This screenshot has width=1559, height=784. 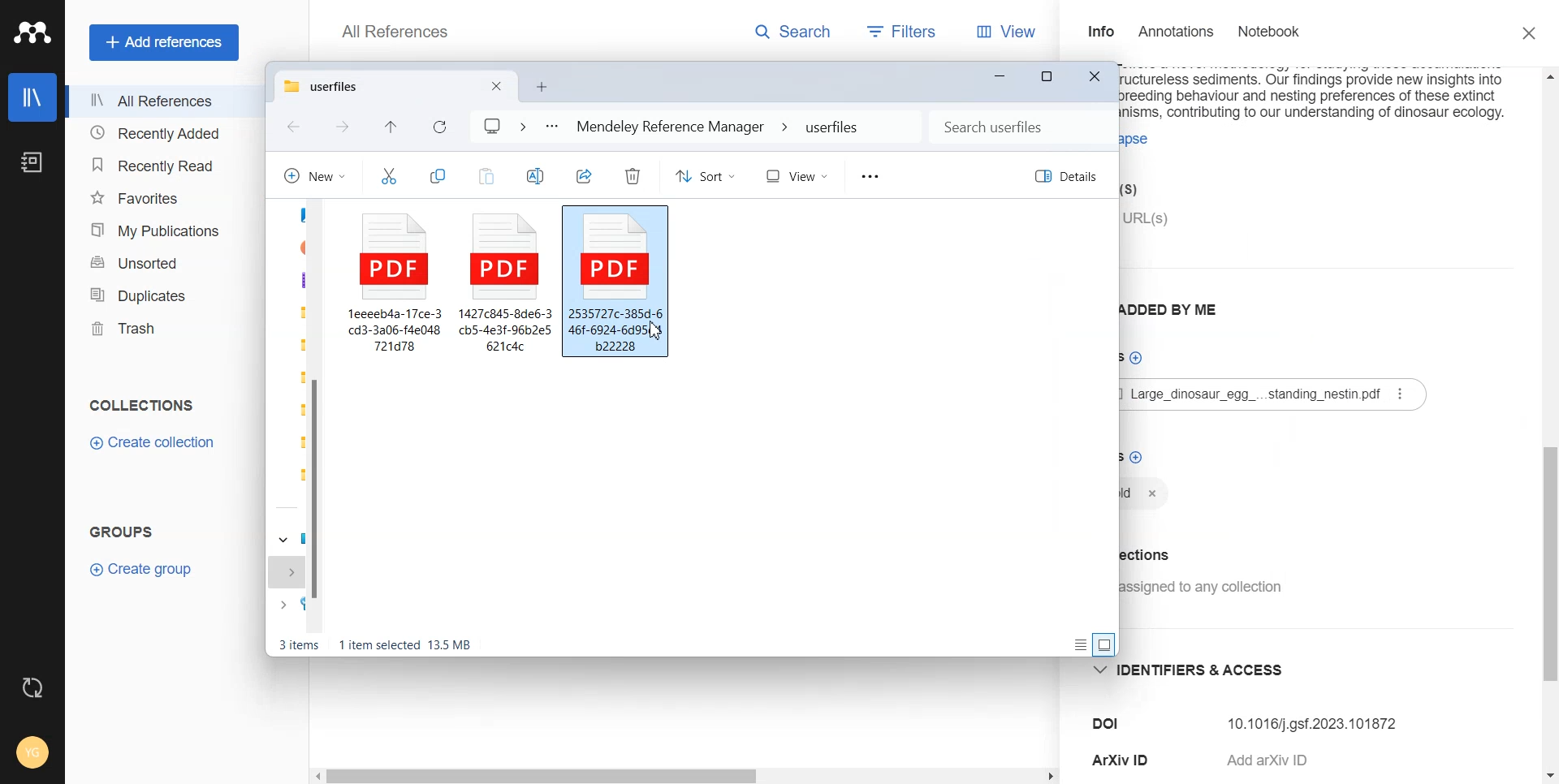 I want to click on Logo, so click(x=32, y=32).